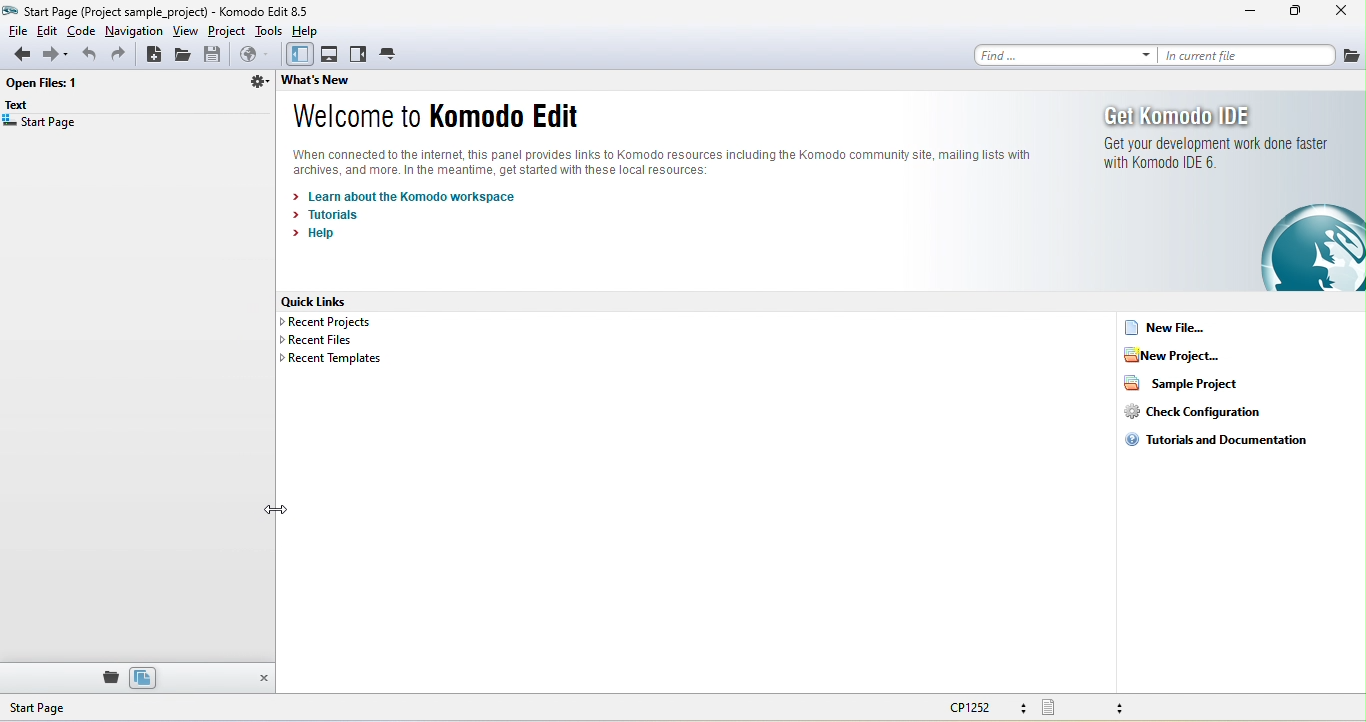  I want to click on browse, so click(253, 56).